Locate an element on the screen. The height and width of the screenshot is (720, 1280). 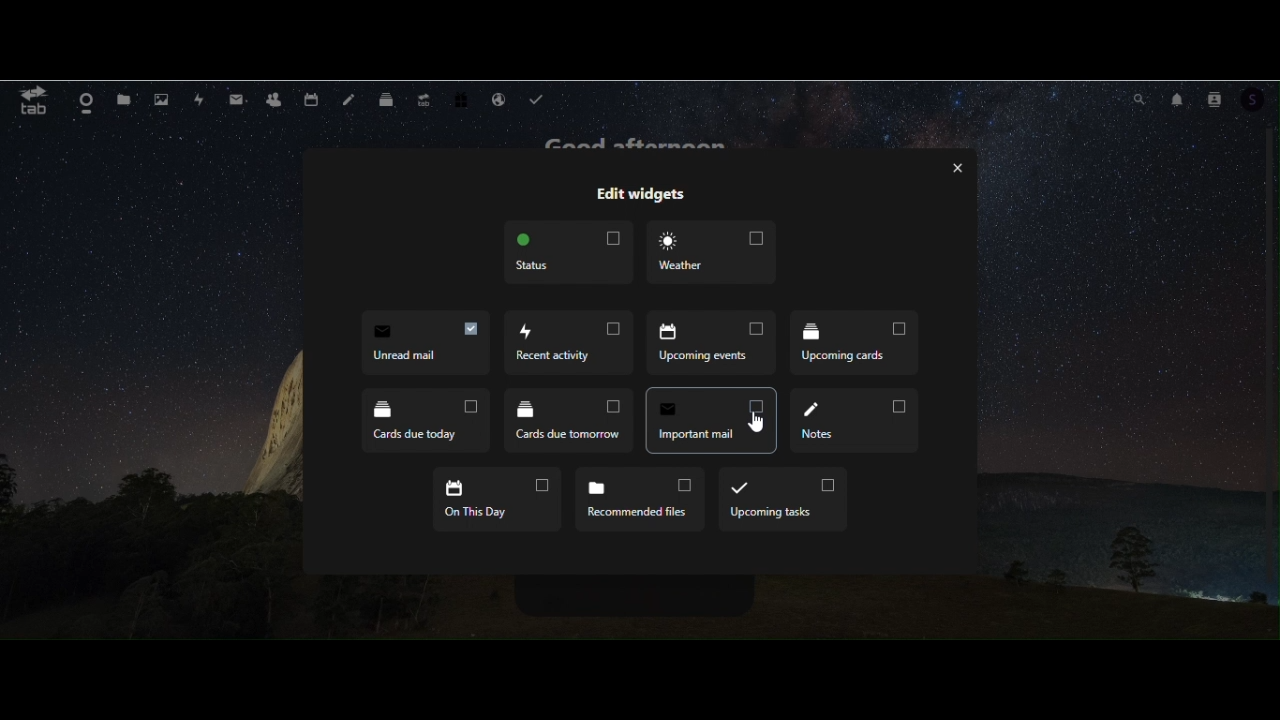
contacts is located at coordinates (1218, 97).